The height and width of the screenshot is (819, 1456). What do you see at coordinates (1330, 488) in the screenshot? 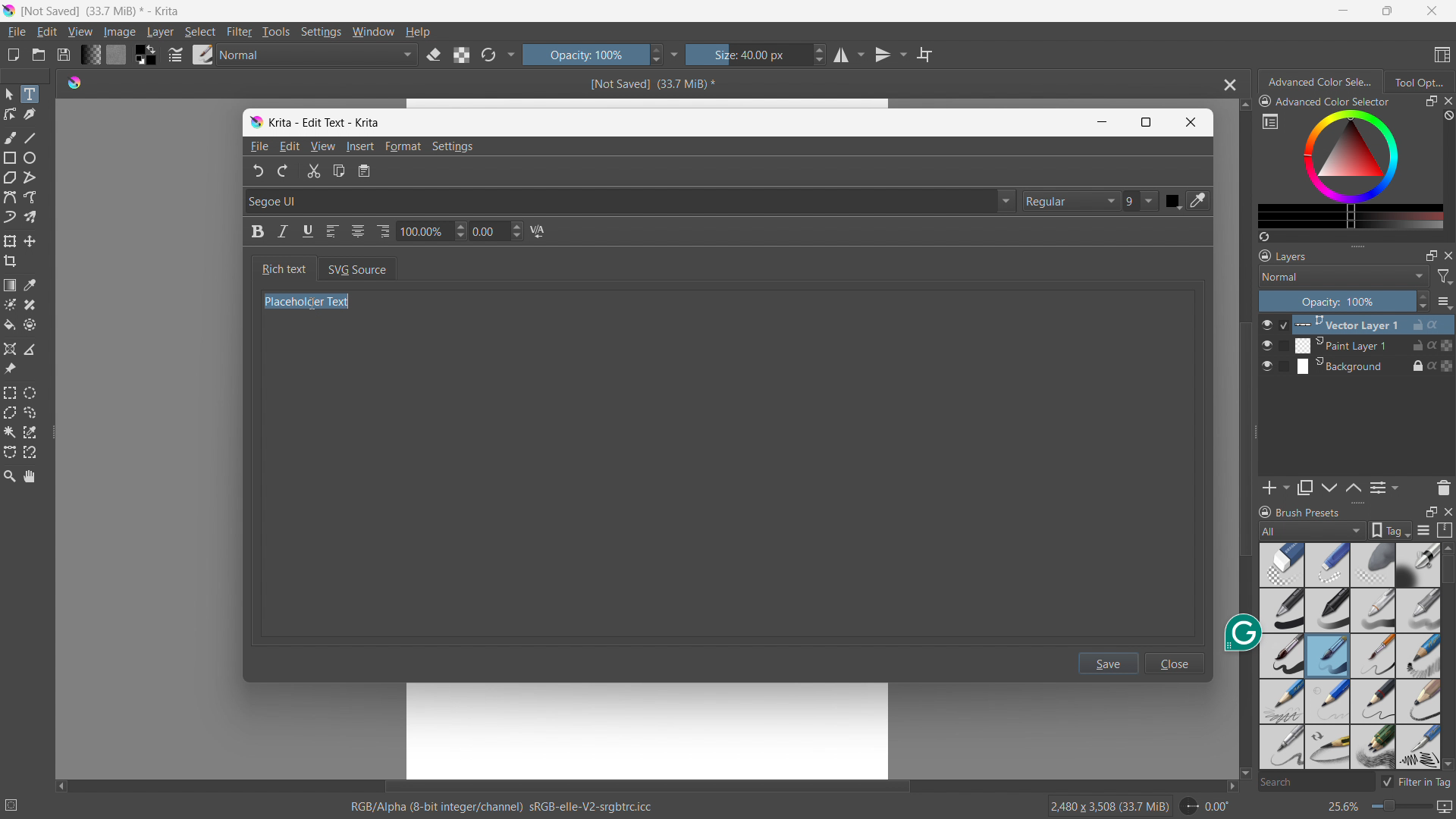
I see `move layer up` at bounding box center [1330, 488].